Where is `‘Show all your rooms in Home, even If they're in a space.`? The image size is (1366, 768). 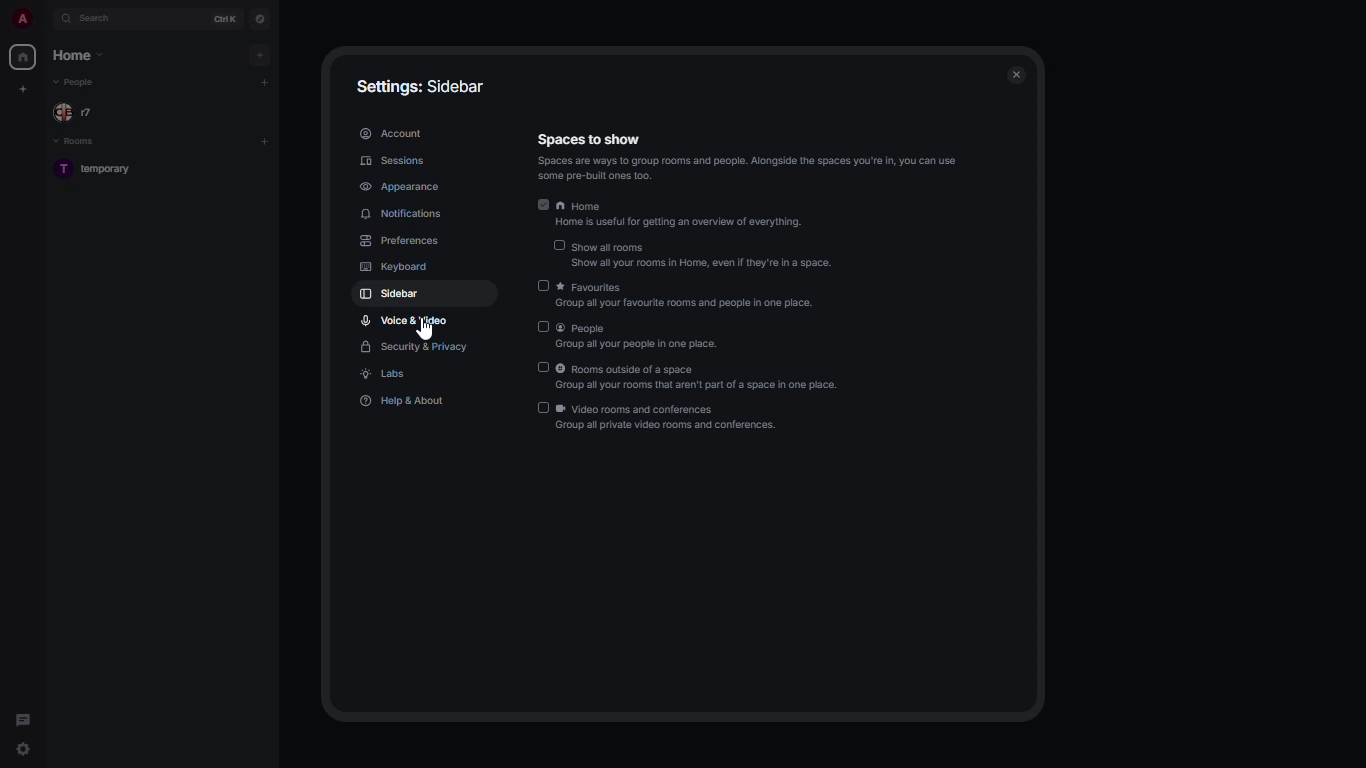 ‘Show all your rooms in Home, even If they're in a space. is located at coordinates (695, 264).